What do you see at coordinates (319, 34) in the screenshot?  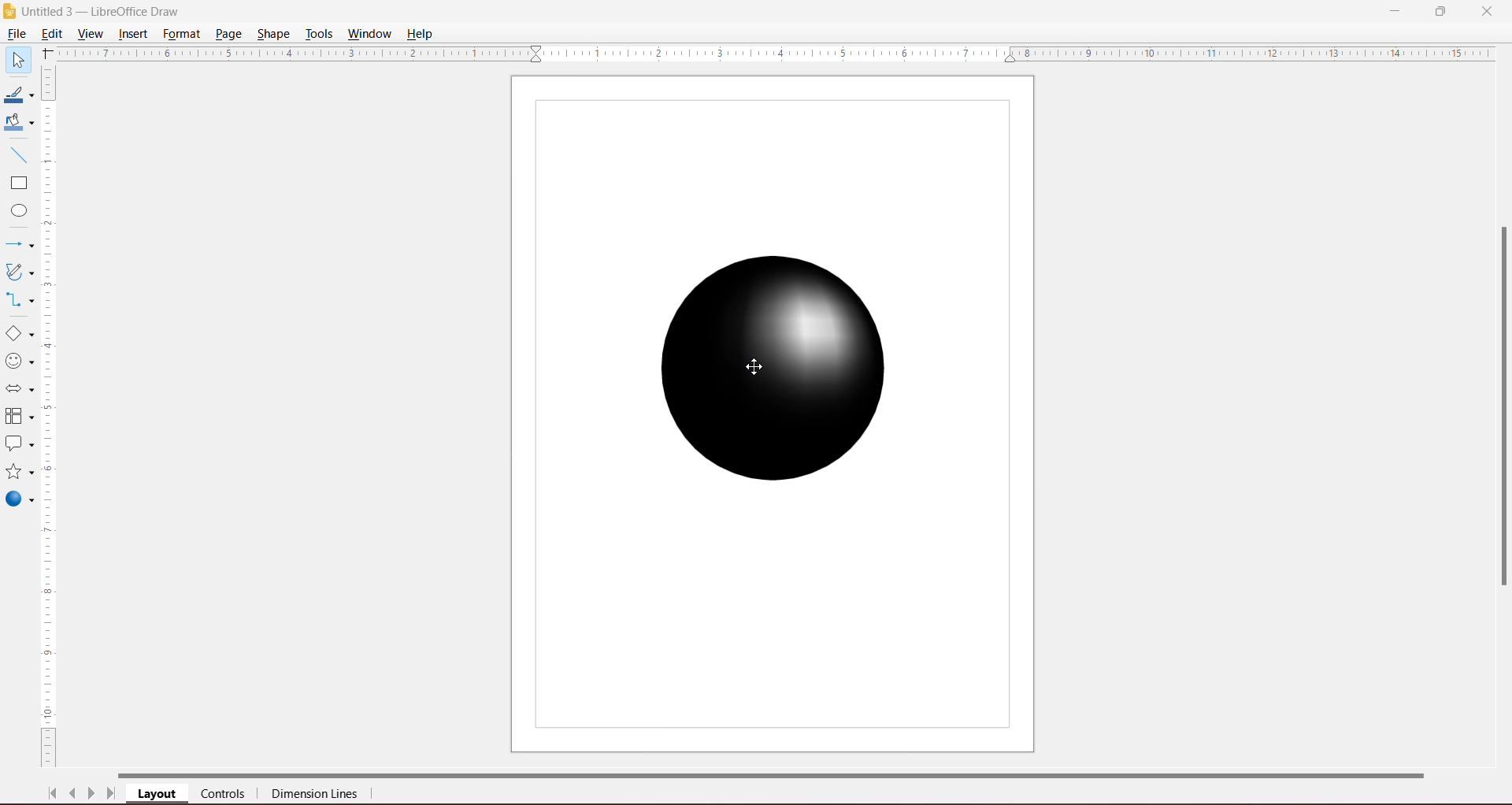 I see `Tools` at bounding box center [319, 34].